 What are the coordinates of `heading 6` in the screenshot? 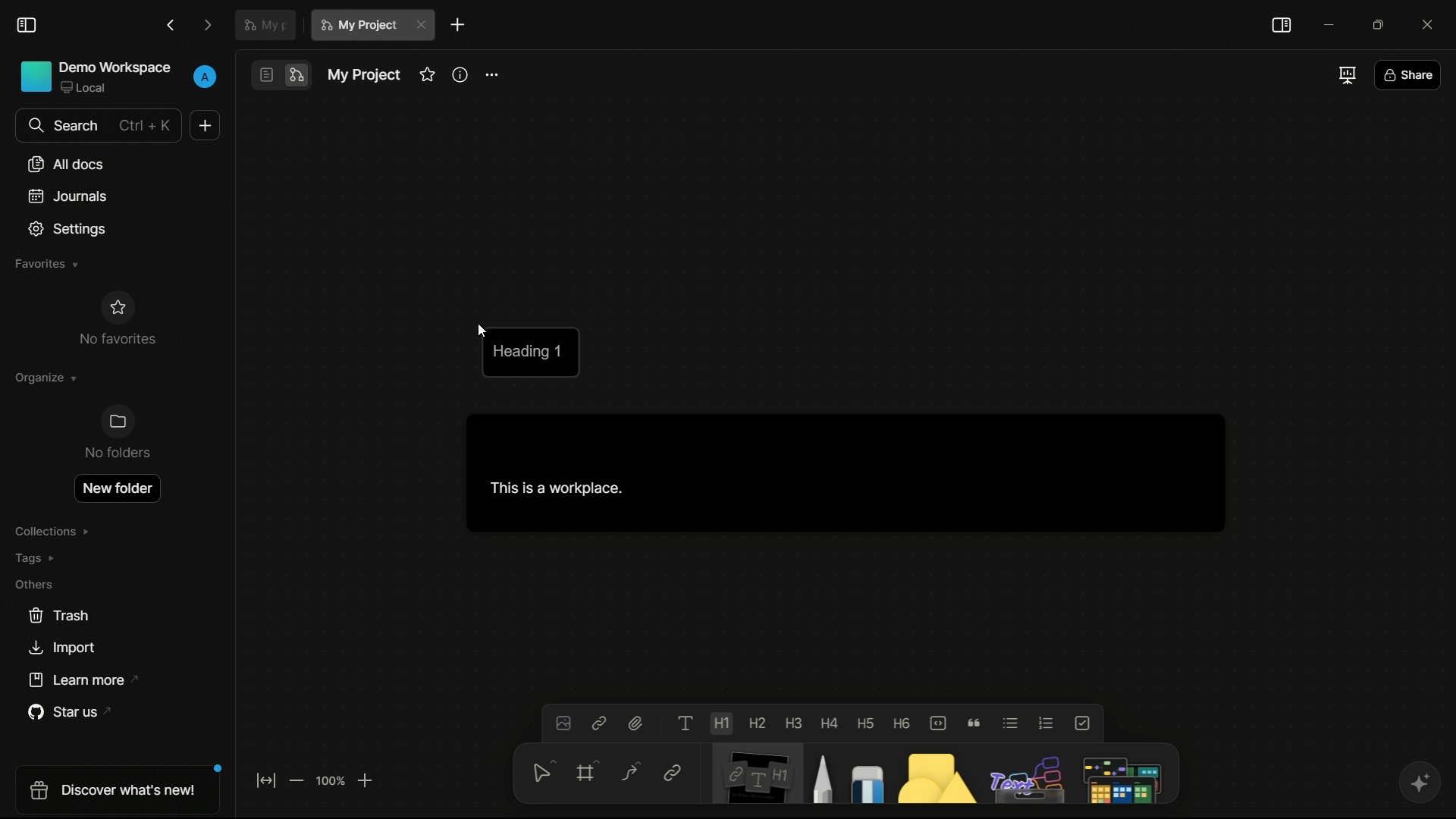 It's located at (904, 719).